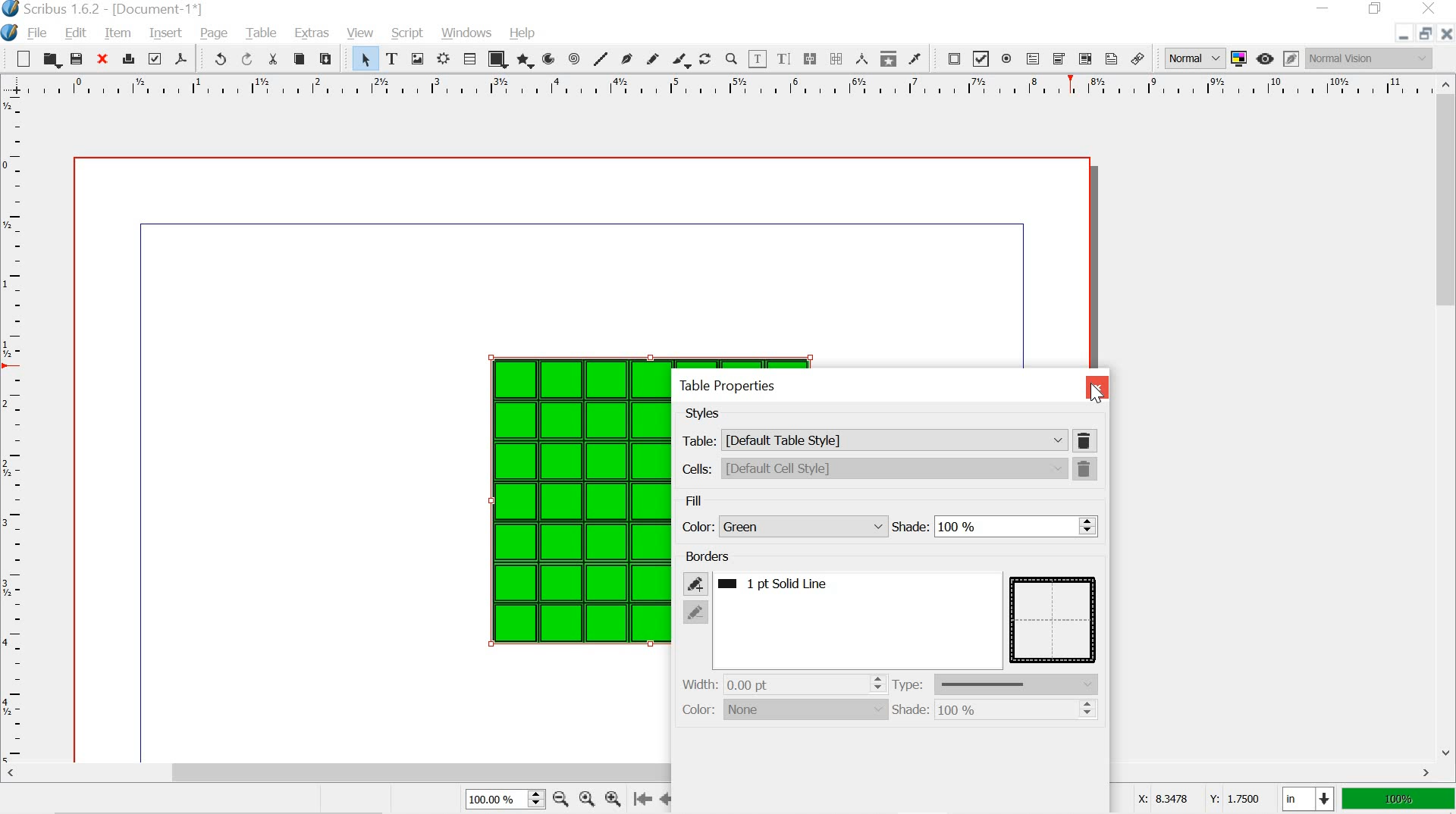 This screenshot has width=1456, height=814. Describe the element at coordinates (873, 440) in the screenshot. I see `table: [Default Table Style]` at that location.